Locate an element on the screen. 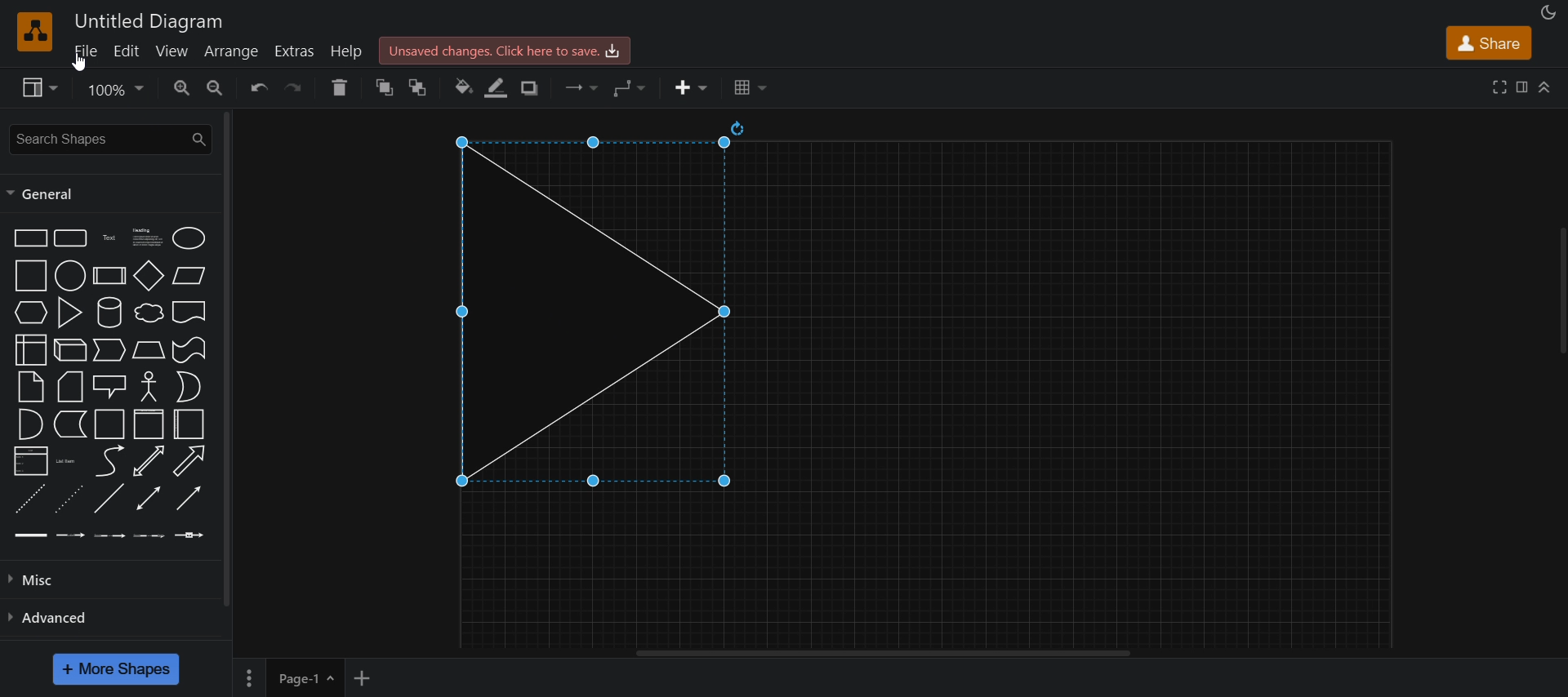  arrange is located at coordinates (234, 52).